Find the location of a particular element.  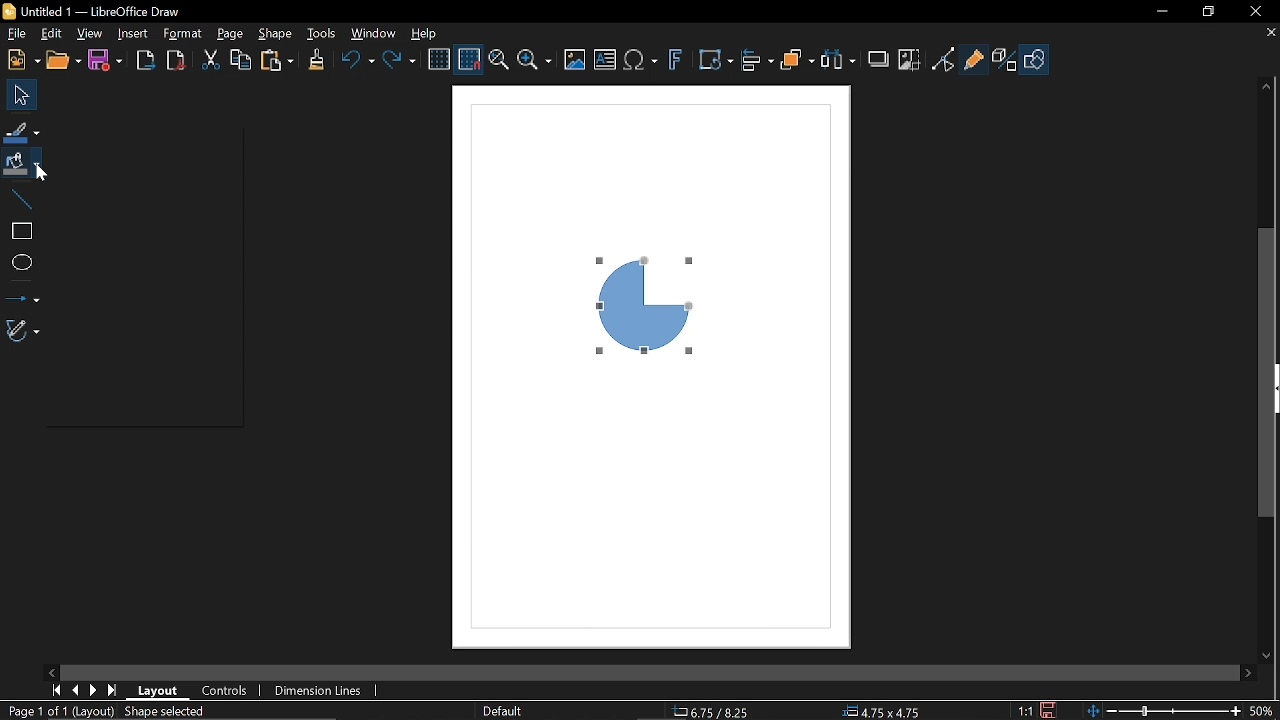

Align is located at coordinates (756, 62).